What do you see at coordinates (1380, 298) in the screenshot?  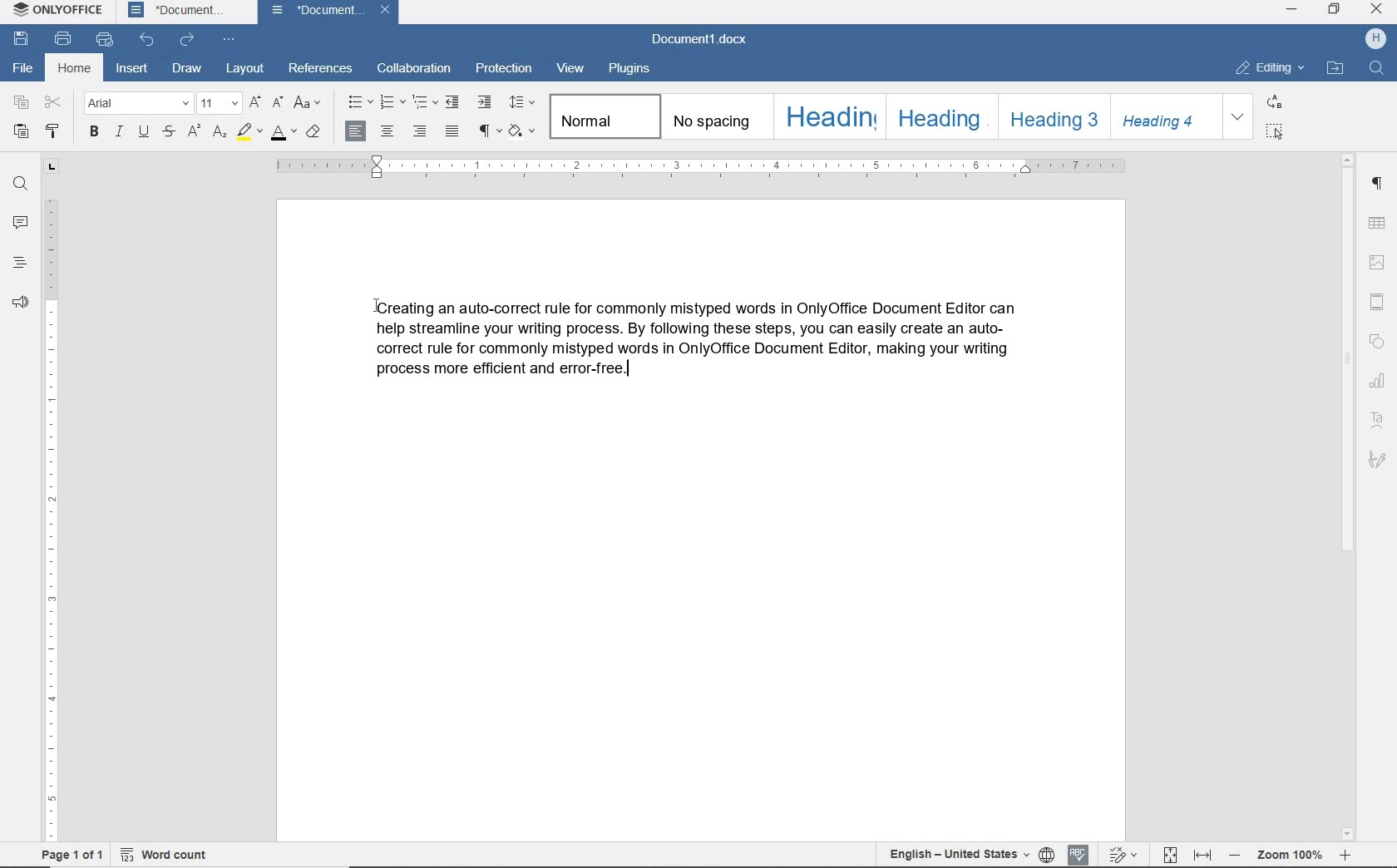 I see `header & footer` at bounding box center [1380, 298].